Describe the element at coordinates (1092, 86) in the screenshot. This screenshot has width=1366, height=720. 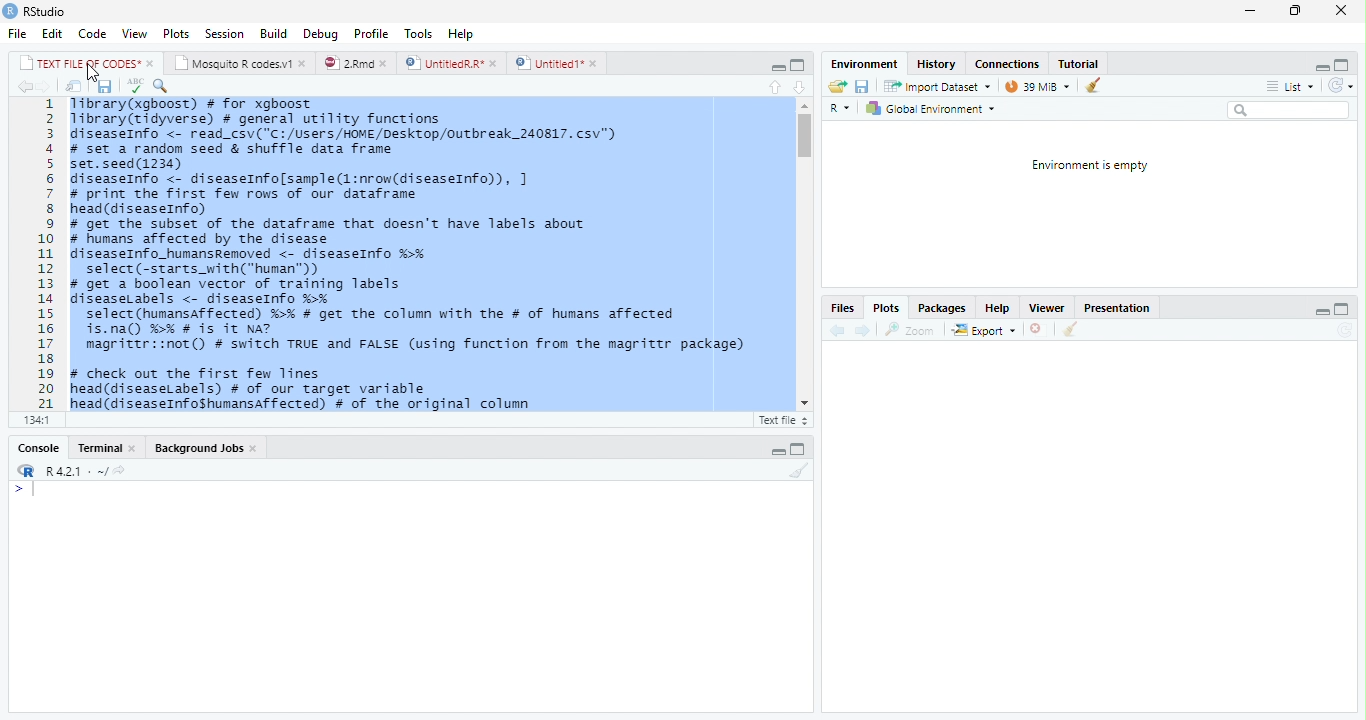
I see `Clean` at that location.